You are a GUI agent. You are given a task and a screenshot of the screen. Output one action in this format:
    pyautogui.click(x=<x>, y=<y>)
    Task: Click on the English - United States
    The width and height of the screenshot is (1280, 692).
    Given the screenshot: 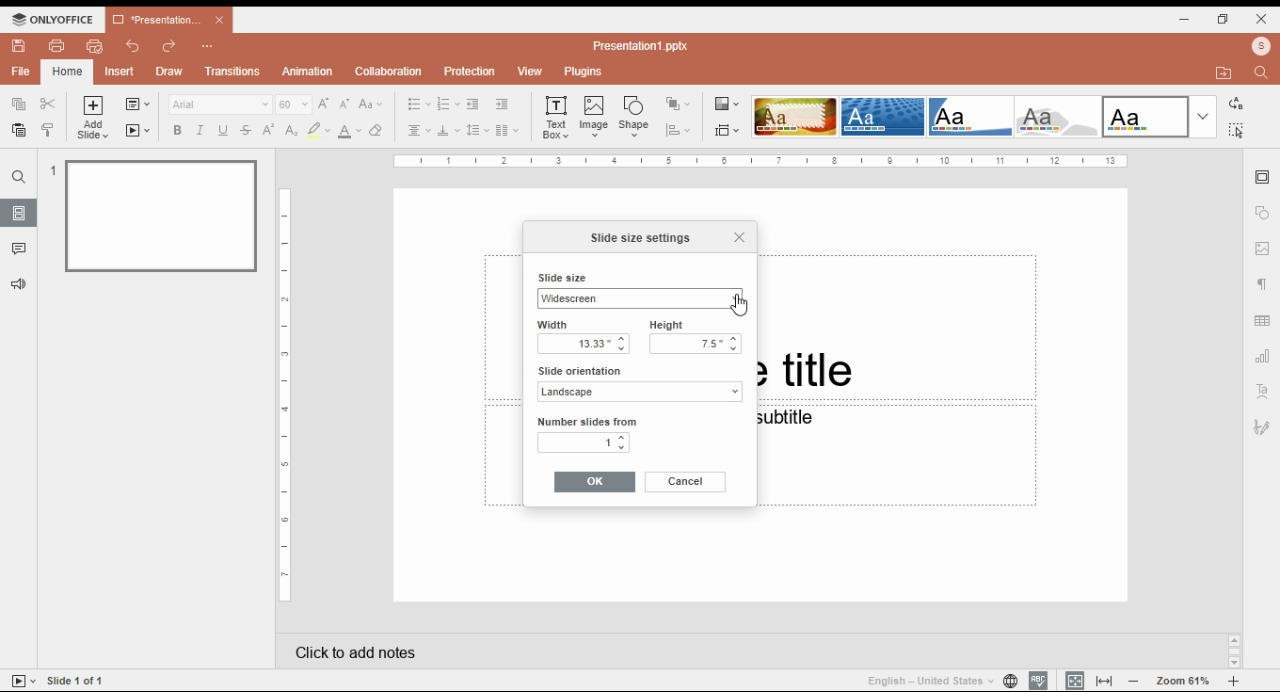 What is the action you would take?
    pyautogui.click(x=923, y=680)
    